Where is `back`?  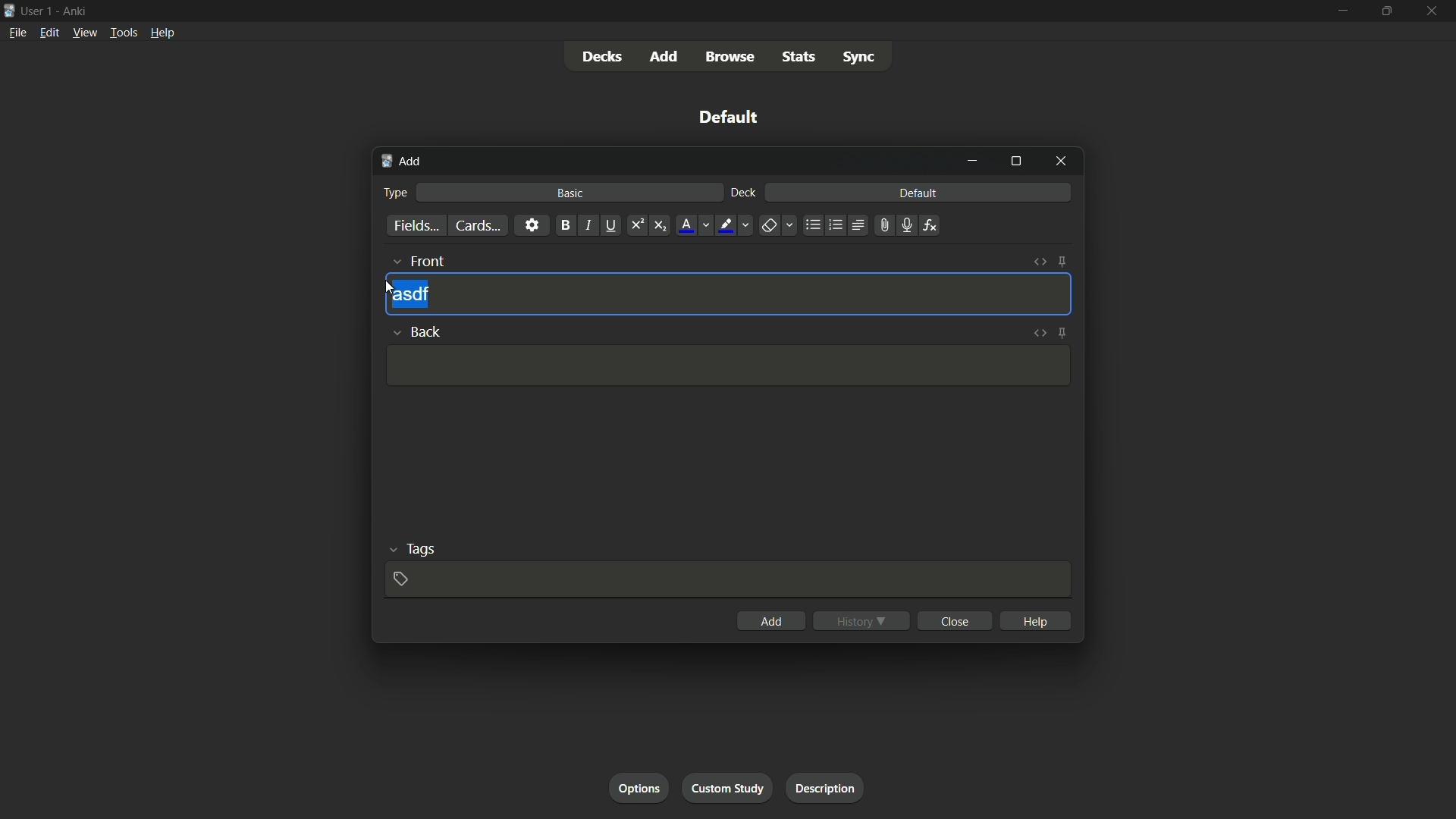
back is located at coordinates (416, 330).